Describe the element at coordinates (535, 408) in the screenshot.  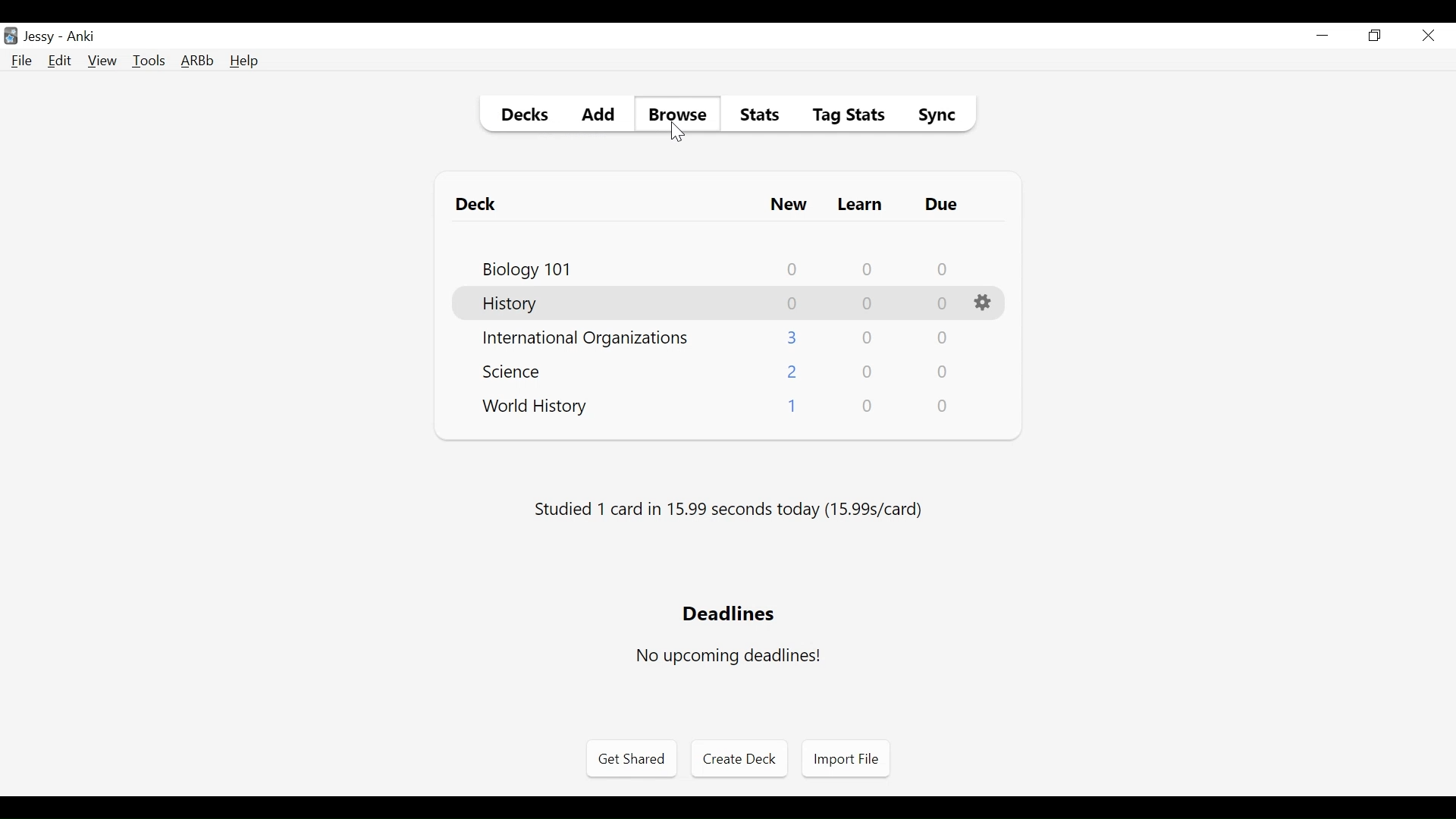
I see `Deck Name` at that location.